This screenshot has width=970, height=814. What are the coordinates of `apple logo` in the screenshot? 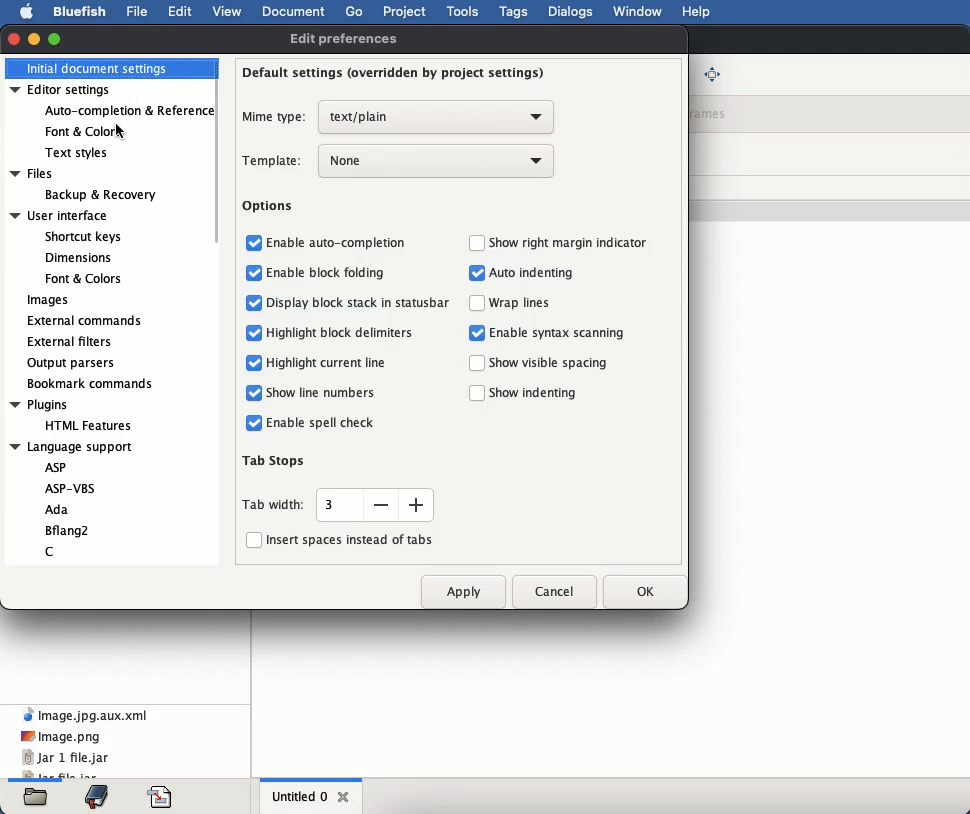 It's located at (27, 12).